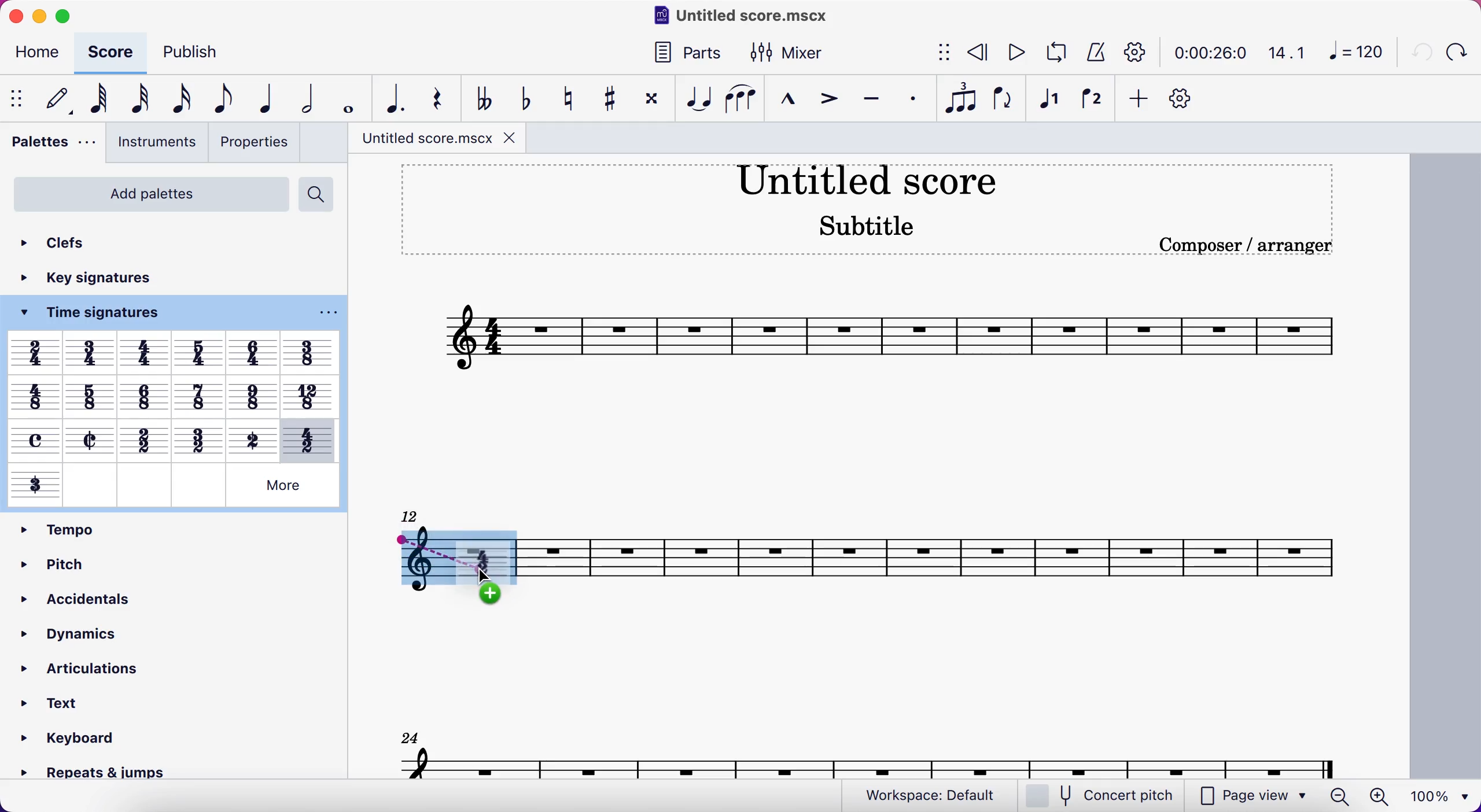 The image size is (1481, 812). I want to click on workspace: default, so click(922, 793).